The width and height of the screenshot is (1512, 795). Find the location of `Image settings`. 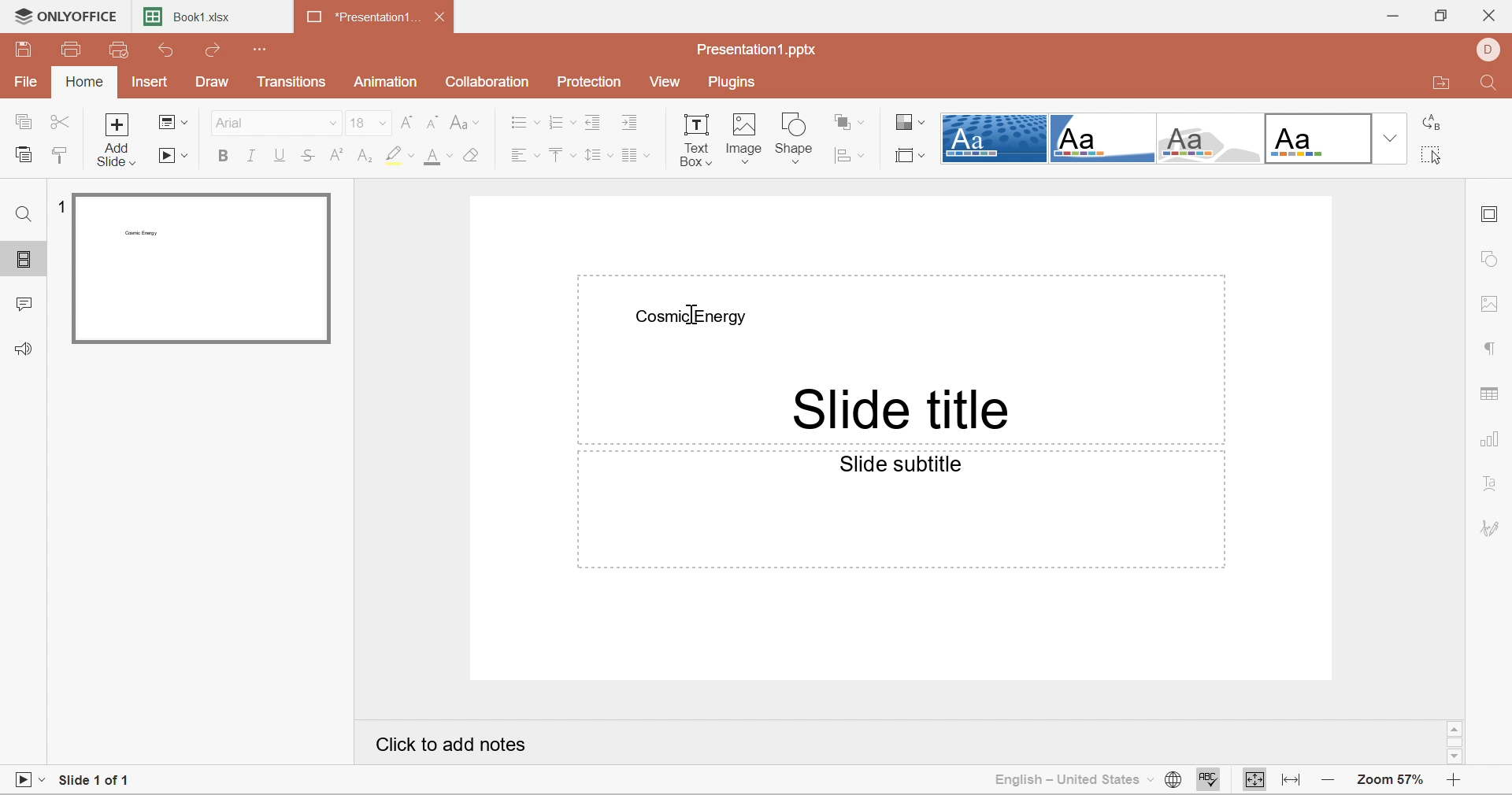

Image settings is located at coordinates (1492, 305).